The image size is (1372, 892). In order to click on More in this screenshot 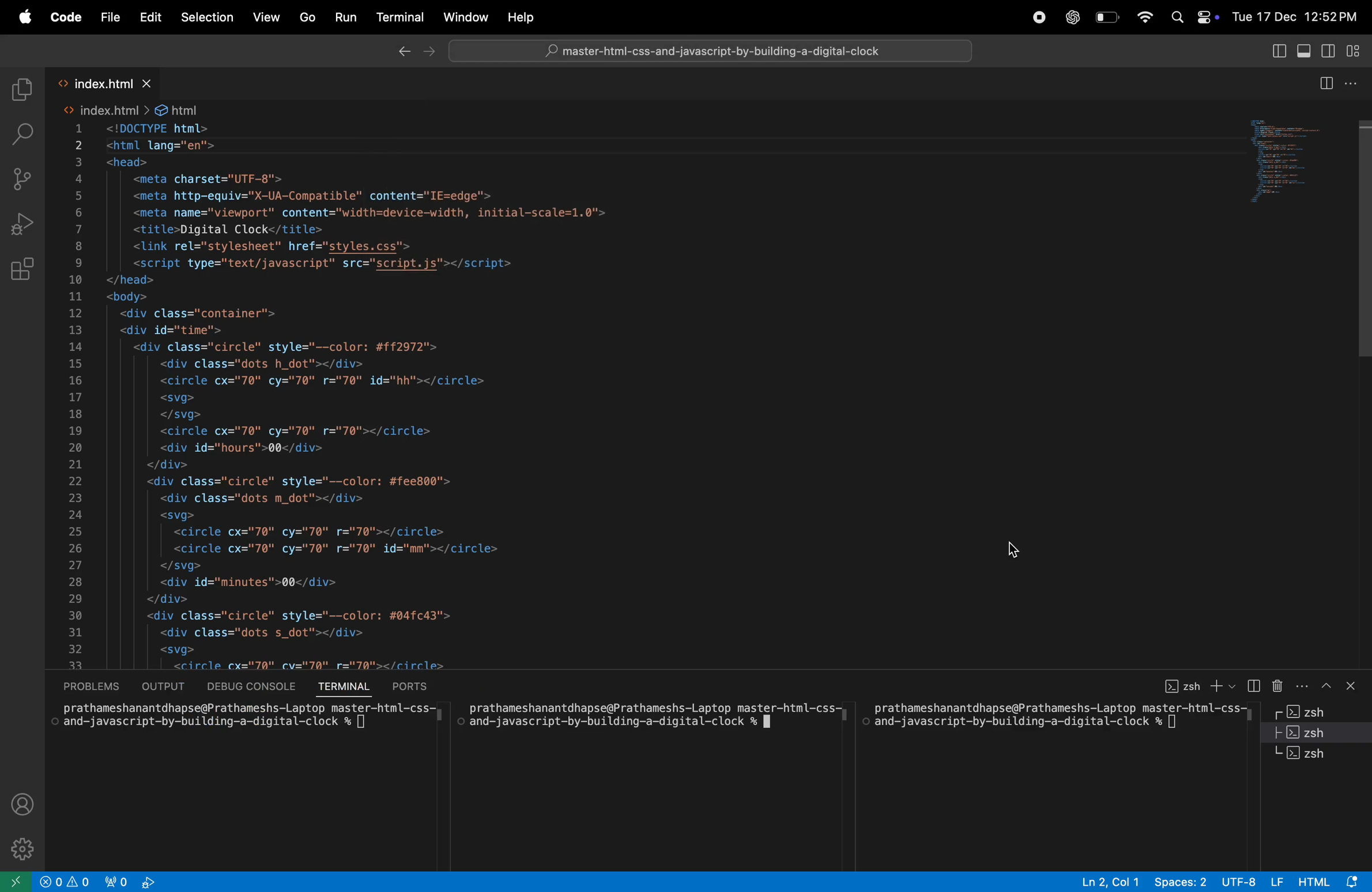, I will do `click(1303, 687)`.